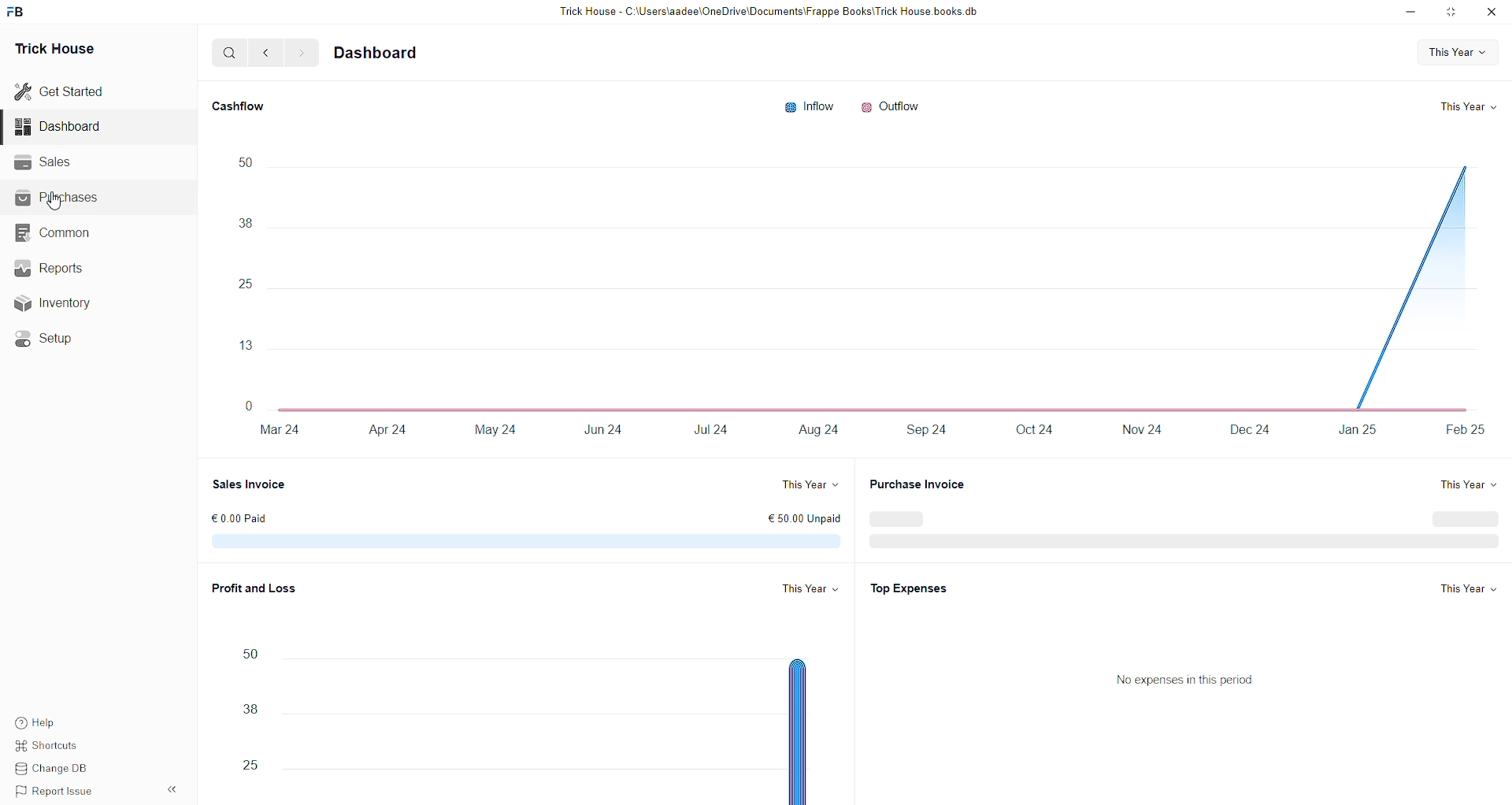 The height and width of the screenshot is (805, 1512). I want to click on 0, so click(249, 399).